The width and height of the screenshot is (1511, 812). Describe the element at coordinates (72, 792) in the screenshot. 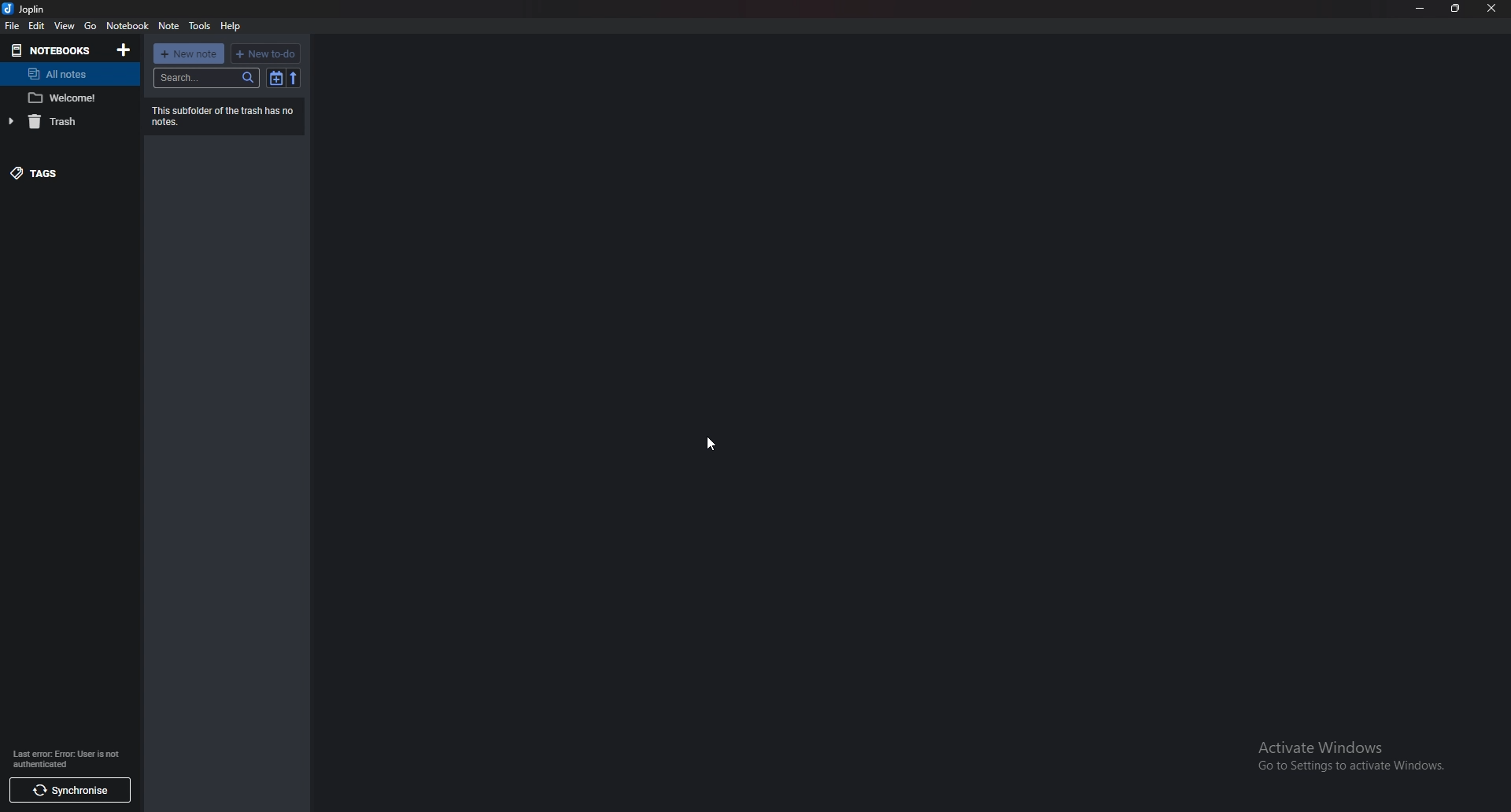

I see `Synchronize` at that location.